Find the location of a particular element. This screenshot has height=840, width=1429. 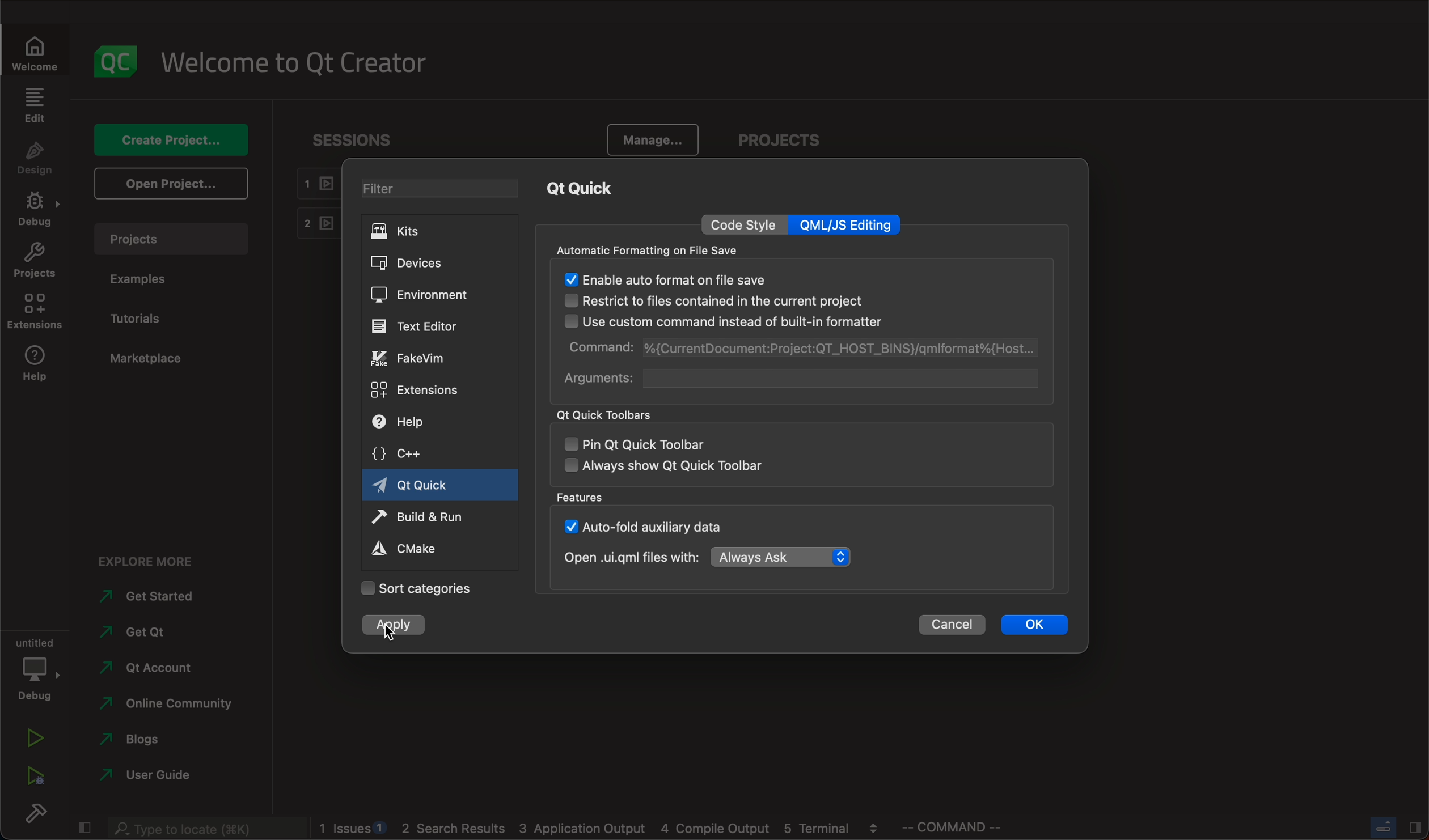

cancel is located at coordinates (955, 625).